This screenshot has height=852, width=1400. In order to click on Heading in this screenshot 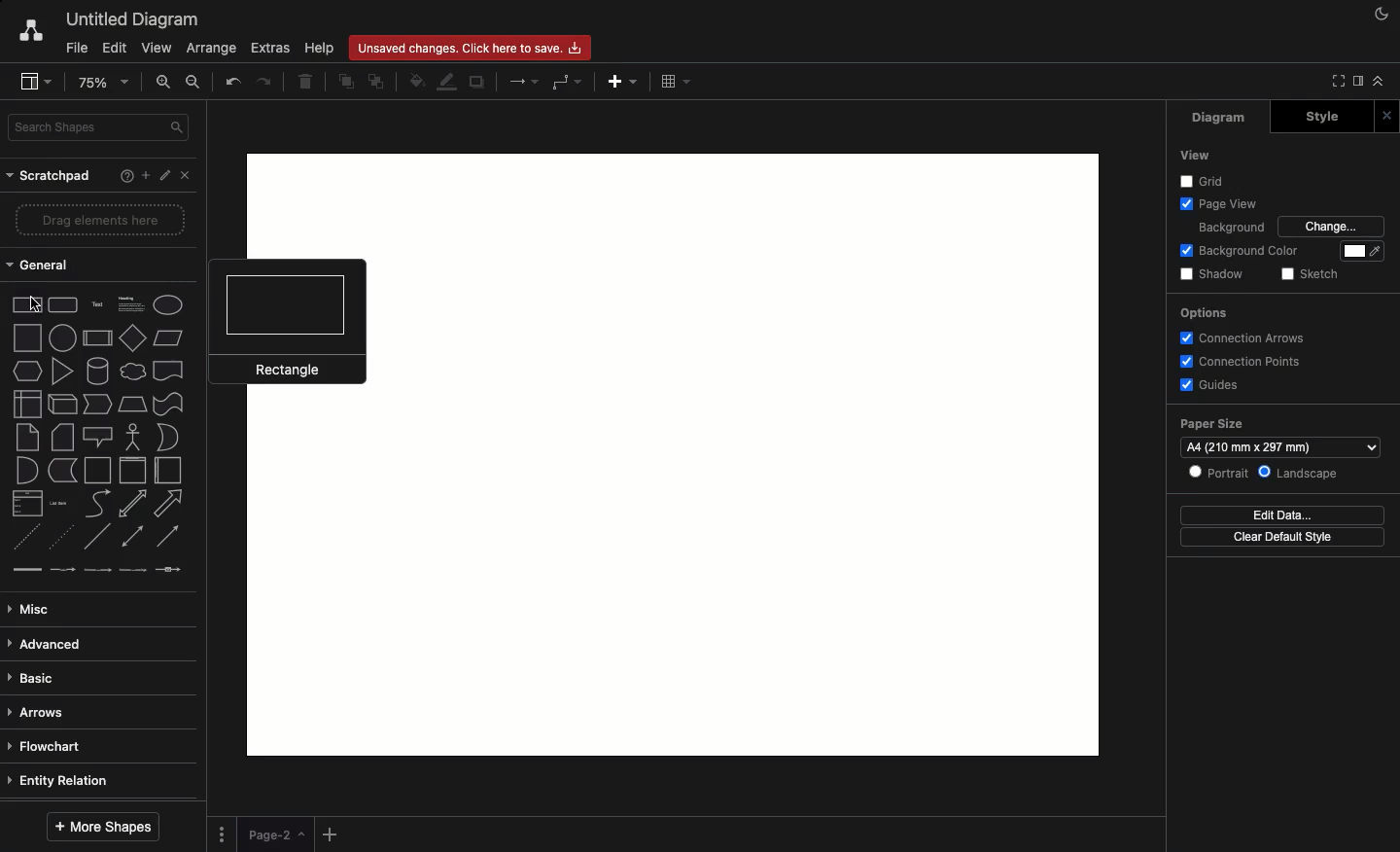, I will do `click(130, 307)`.